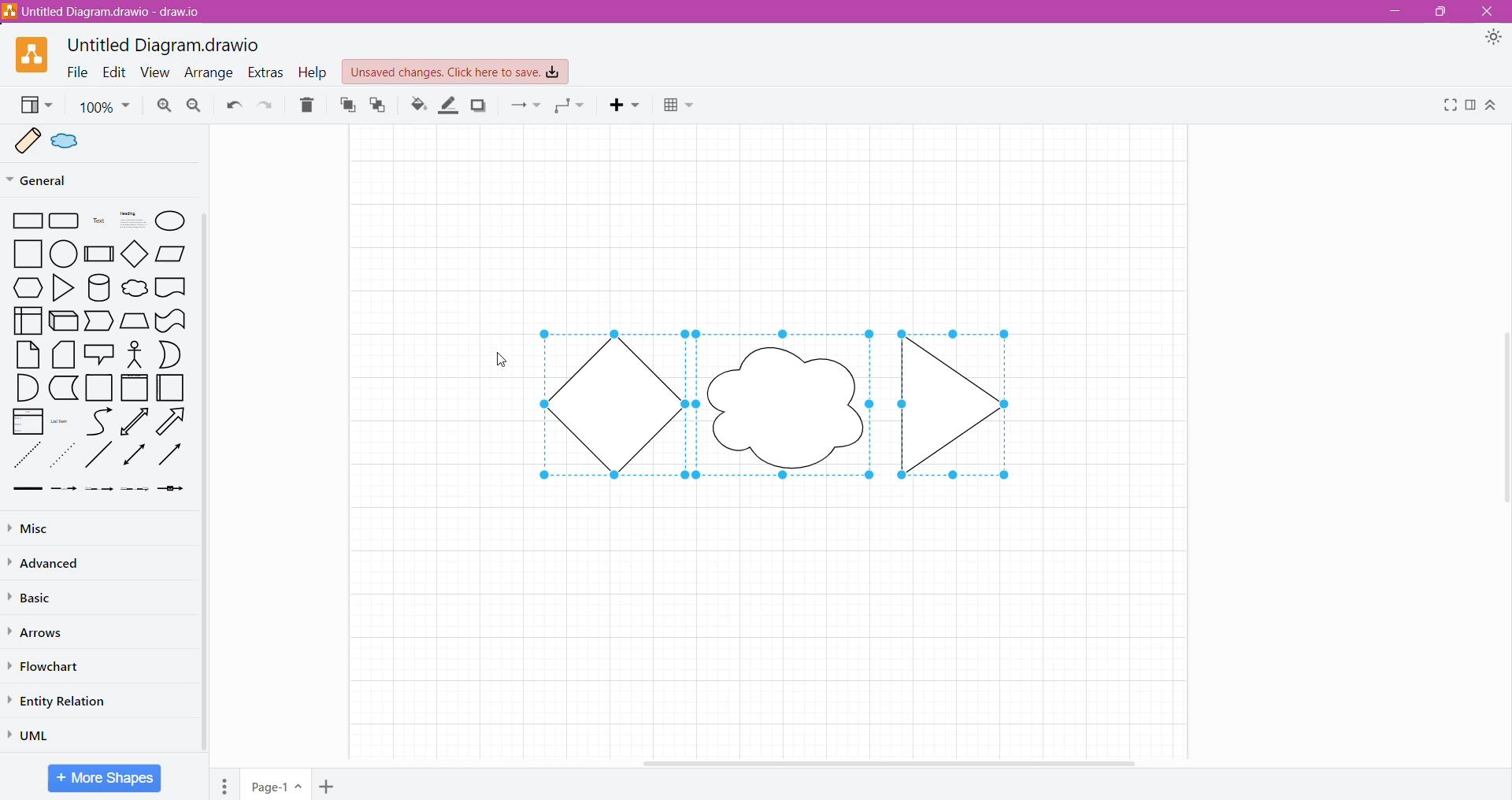 The image size is (1512, 800). I want to click on Undo, so click(233, 107).